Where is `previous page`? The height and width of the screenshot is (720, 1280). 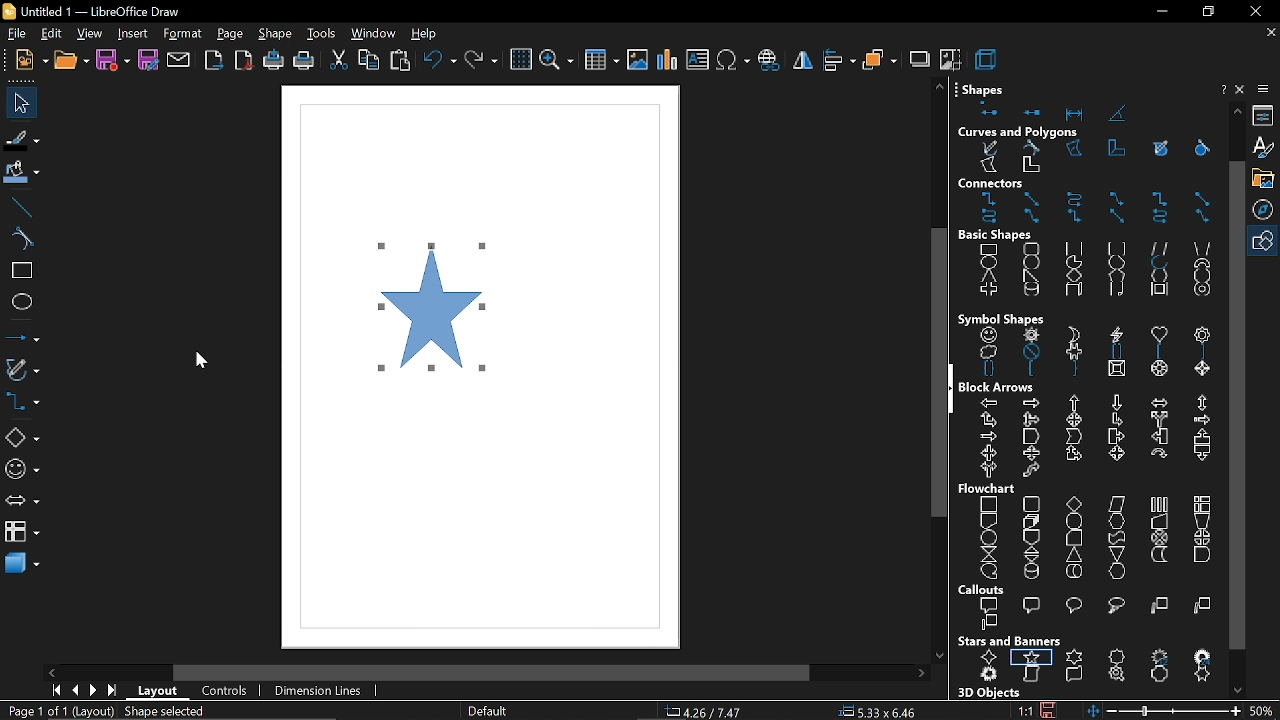
previous page is located at coordinates (75, 691).